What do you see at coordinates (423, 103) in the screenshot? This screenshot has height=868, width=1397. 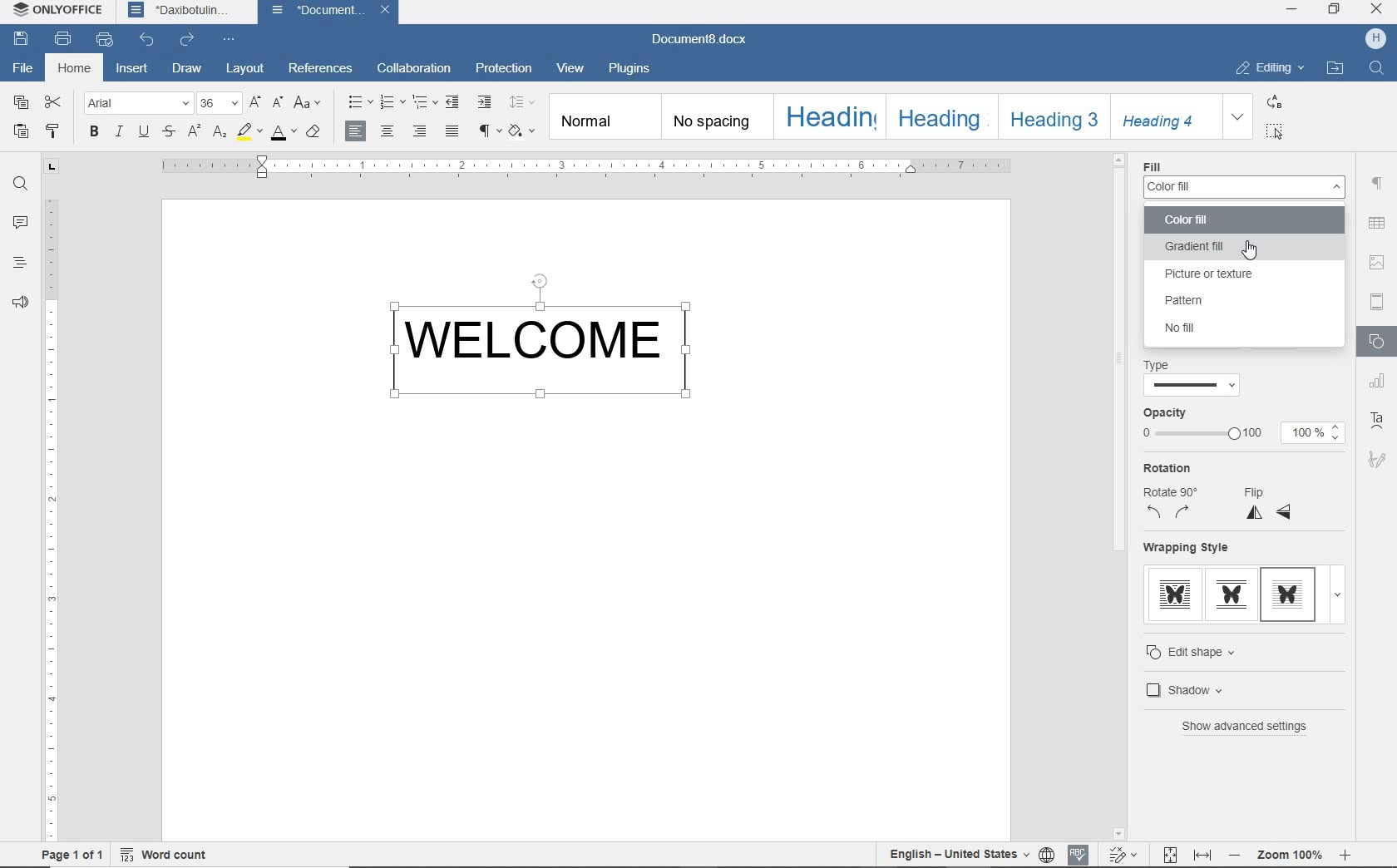 I see `MULTILEVEL LIST` at bounding box center [423, 103].